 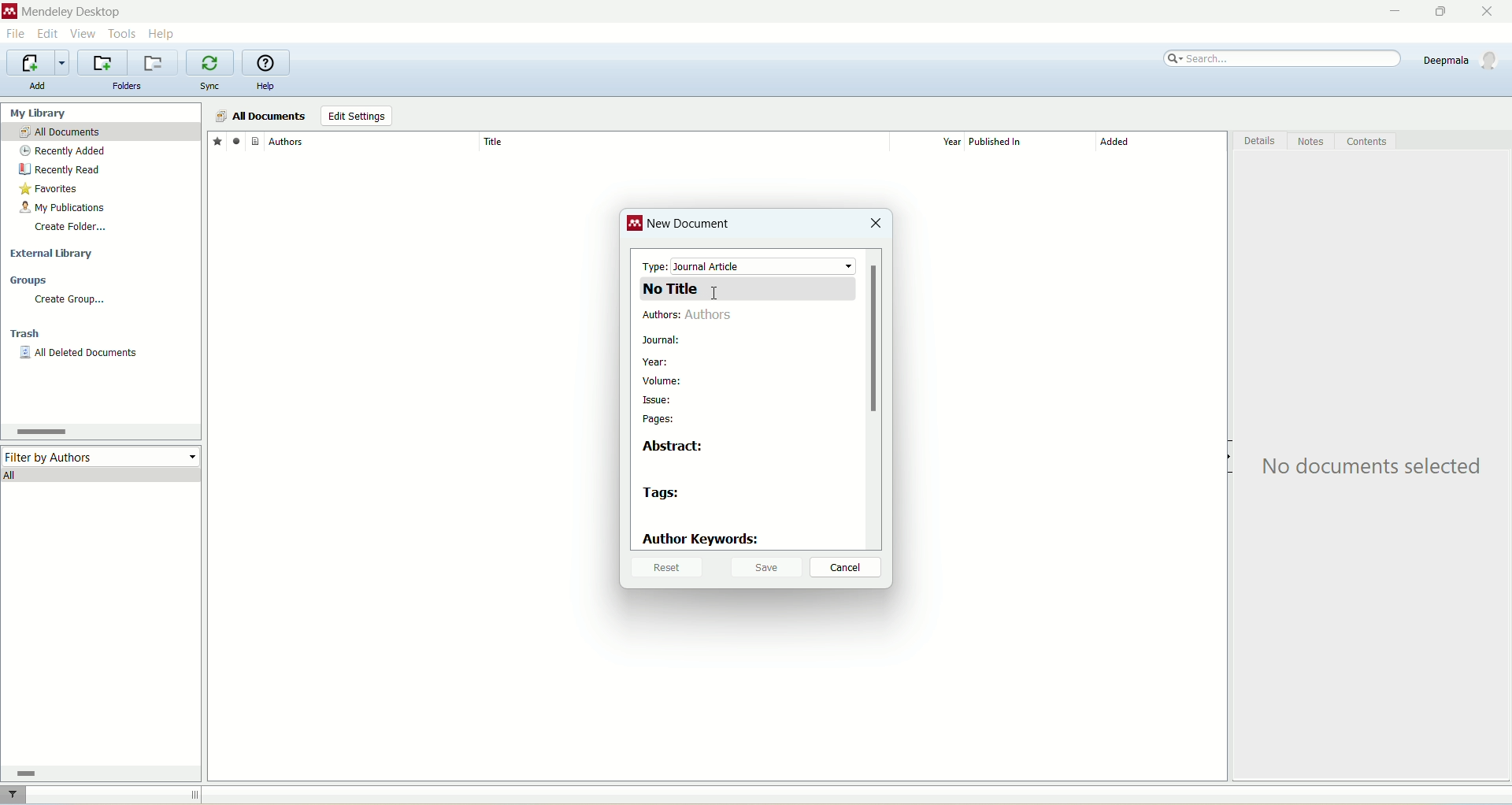 I want to click on sync, so click(x=212, y=87).